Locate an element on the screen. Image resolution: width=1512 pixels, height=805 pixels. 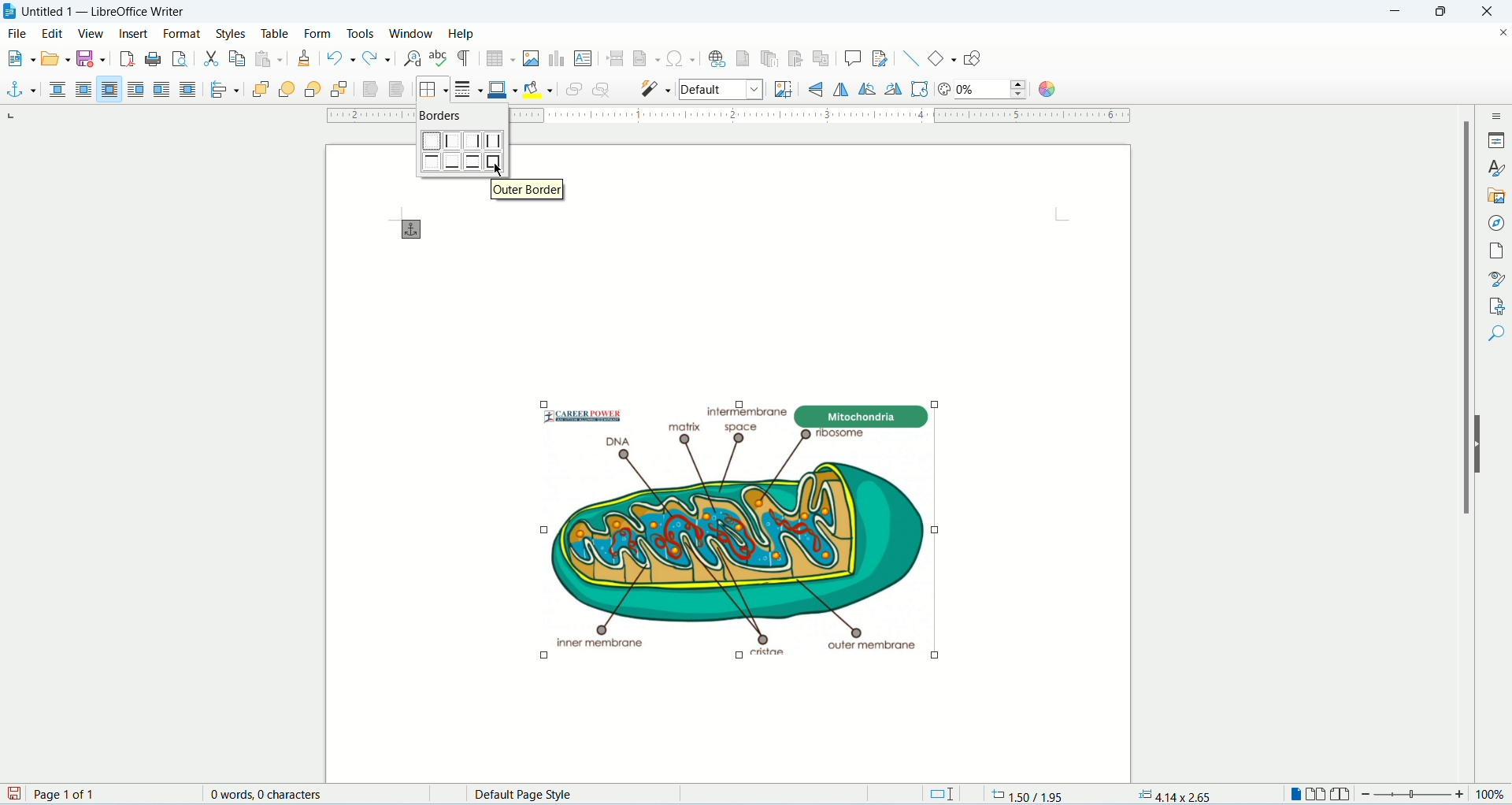
back one is located at coordinates (311, 91).